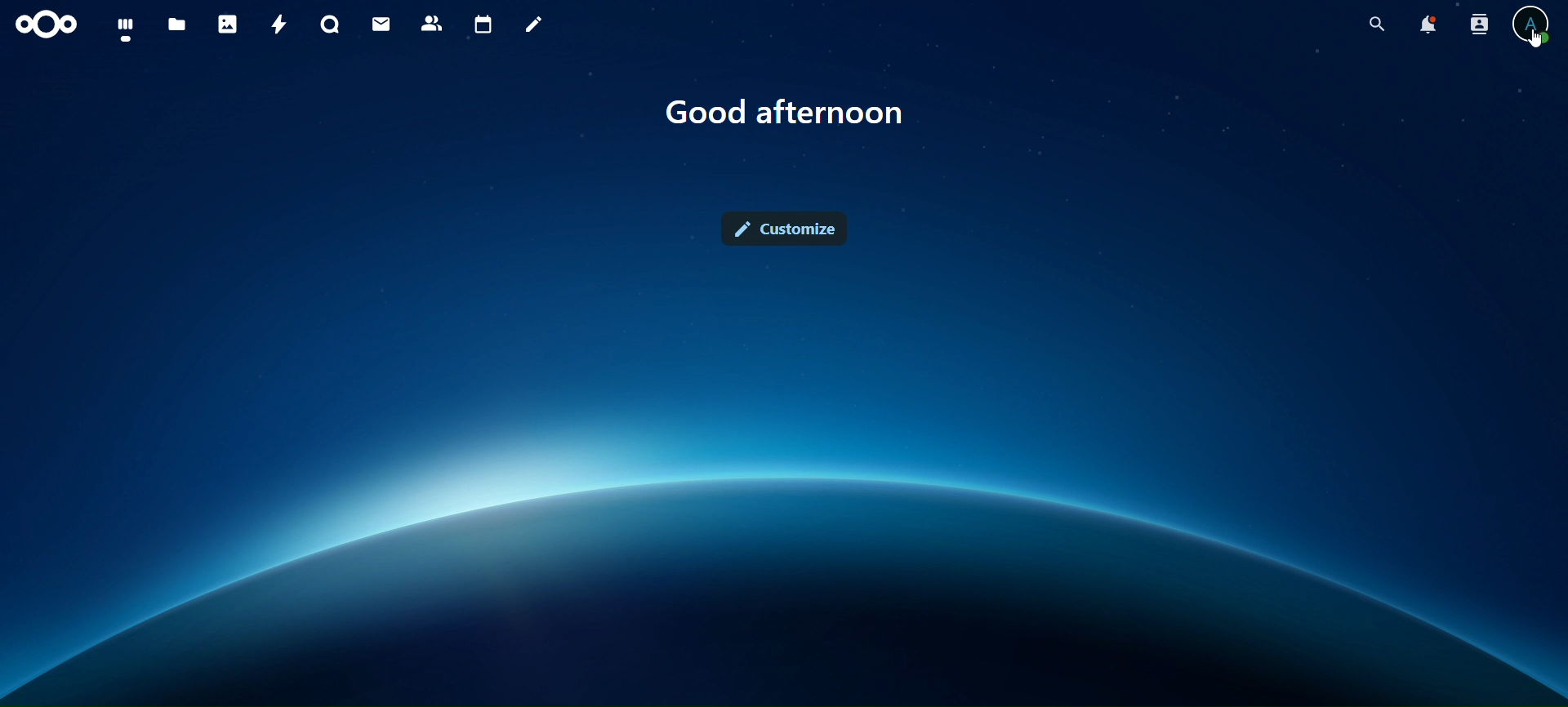 This screenshot has width=1568, height=707. Describe the element at coordinates (332, 25) in the screenshot. I see `talk` at that location.